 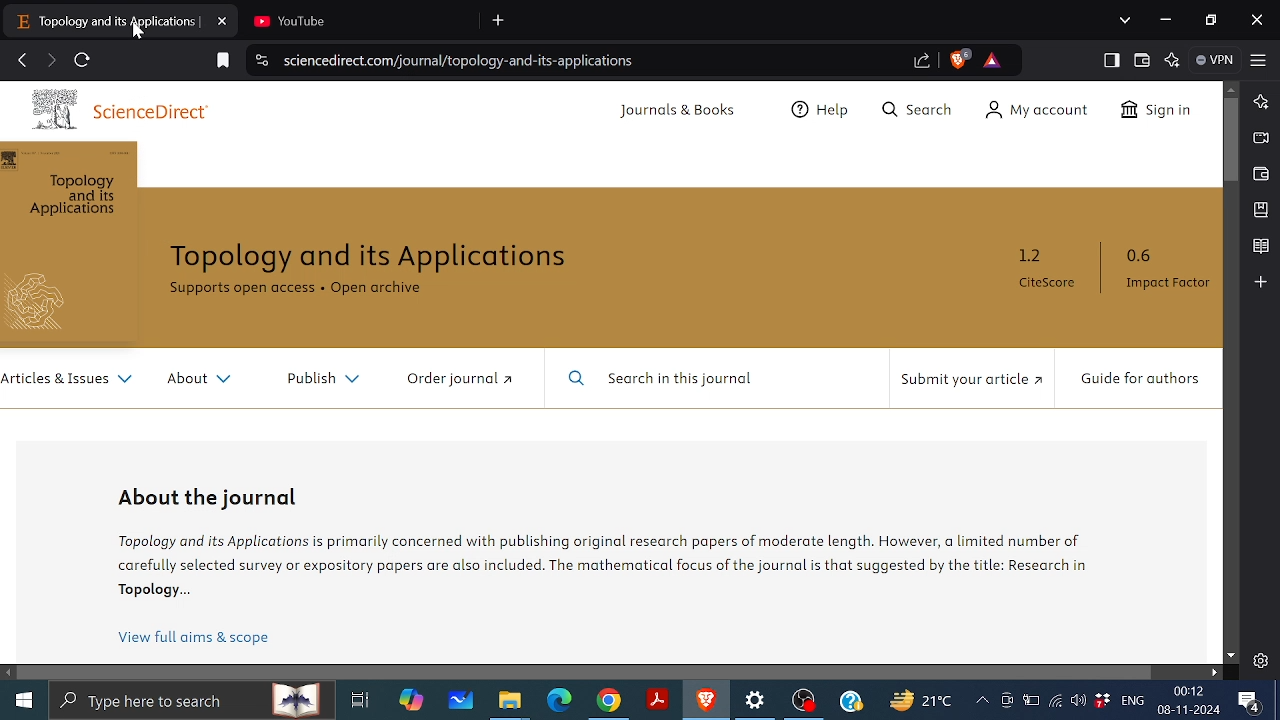 What do you see at coordinates (22, 58) in the screenshot?
I see `go back` at bounding box center [22, 58].